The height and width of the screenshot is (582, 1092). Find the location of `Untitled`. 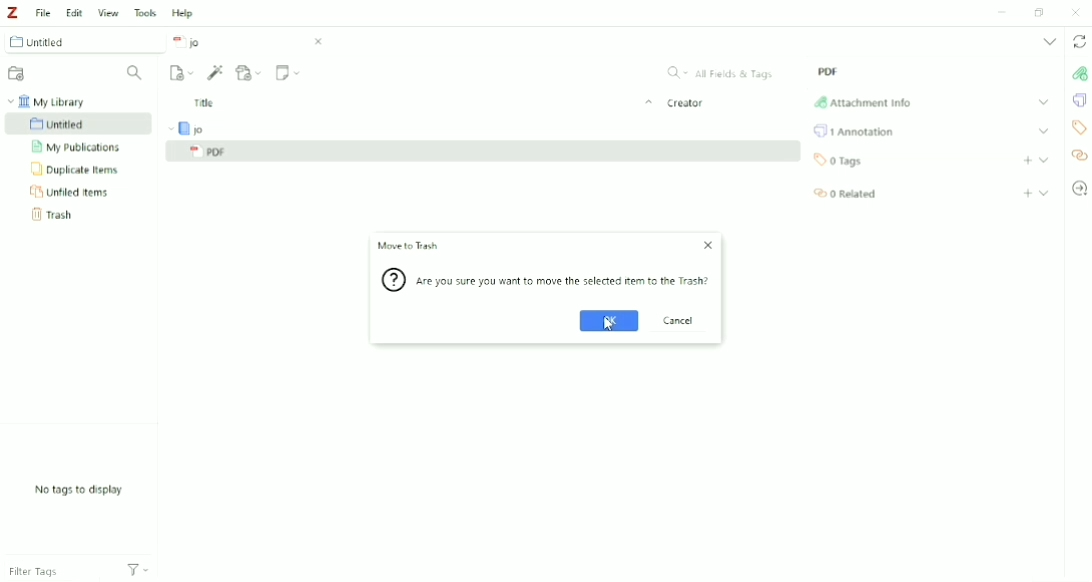

Untitled is located at coordinates (77, 123).